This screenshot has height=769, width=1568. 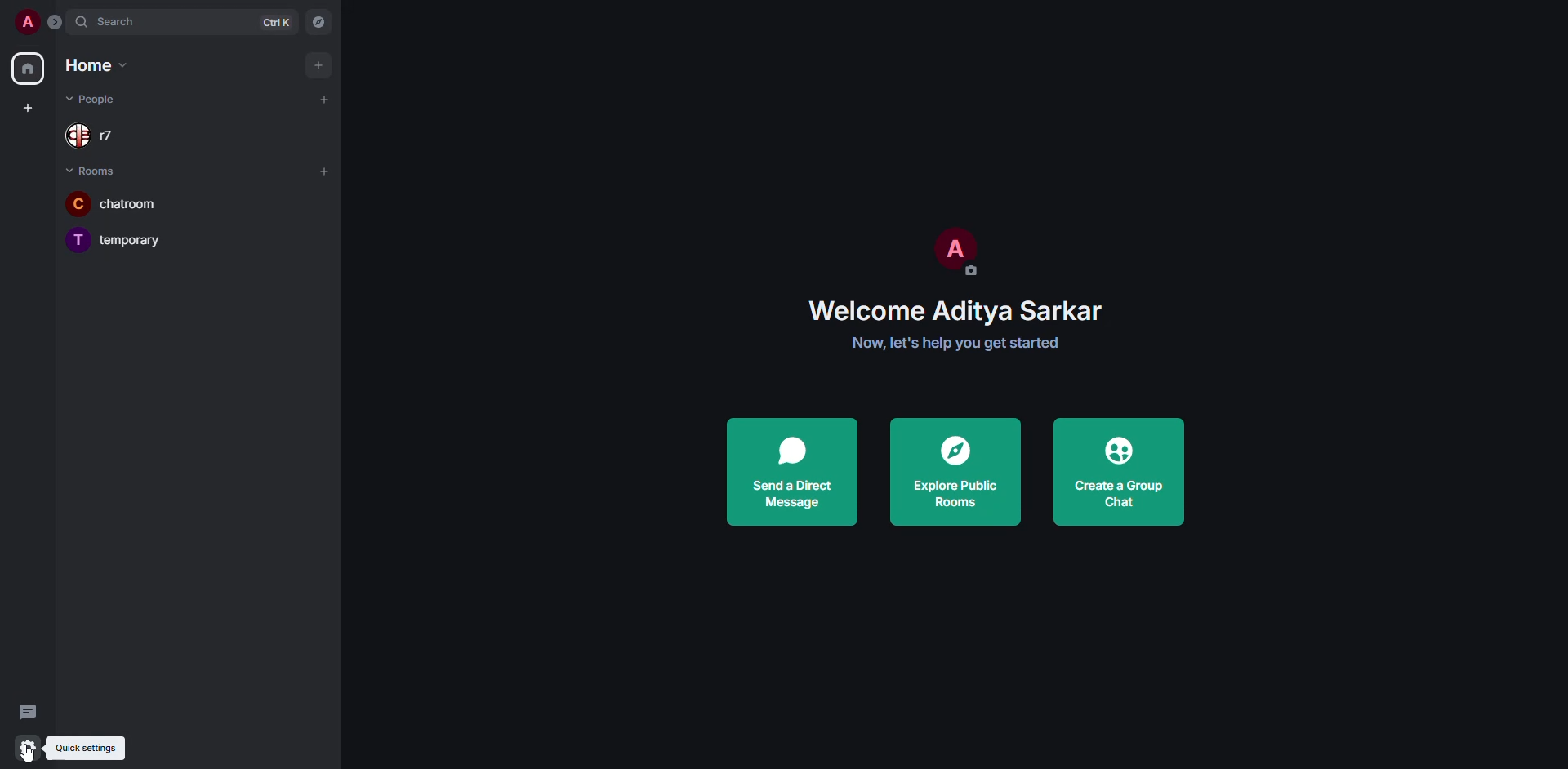 What do you see at coordinates (1125, 471) in the screenshot?
I see `create a group chat` at bounding box center [1125, 471].